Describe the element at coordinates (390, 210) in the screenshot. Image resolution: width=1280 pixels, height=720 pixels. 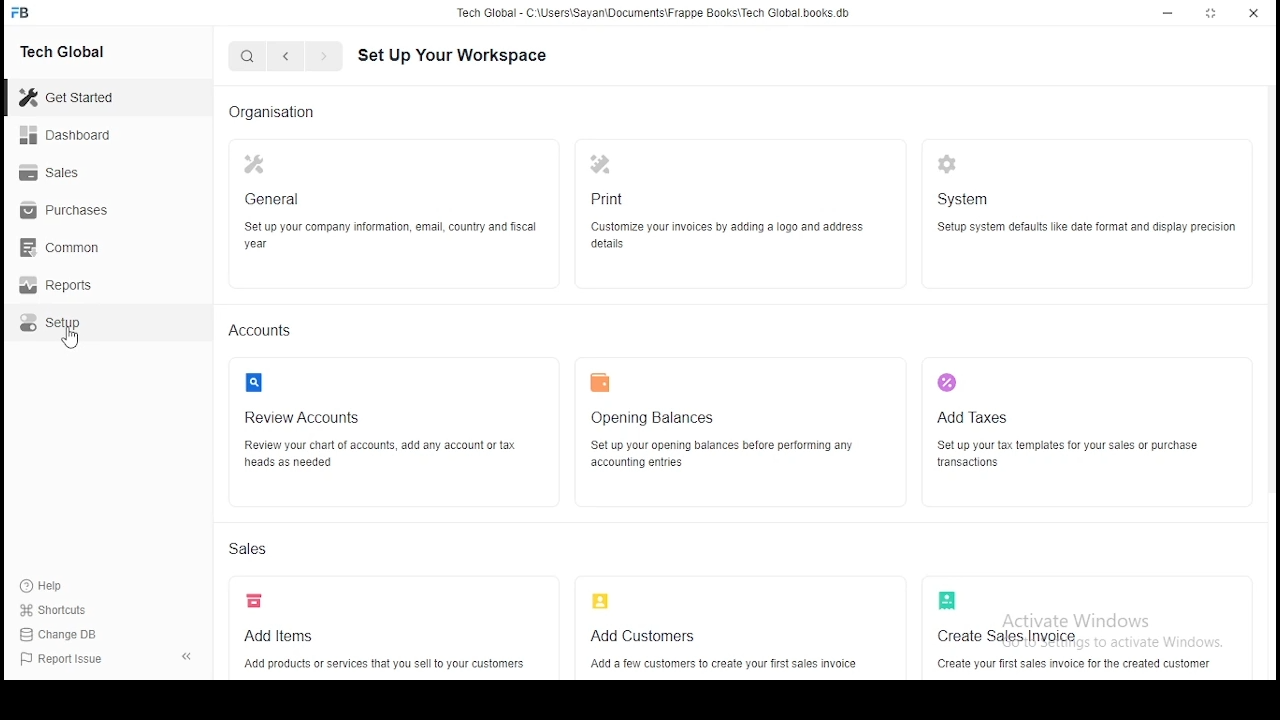
I see `General` at that location.